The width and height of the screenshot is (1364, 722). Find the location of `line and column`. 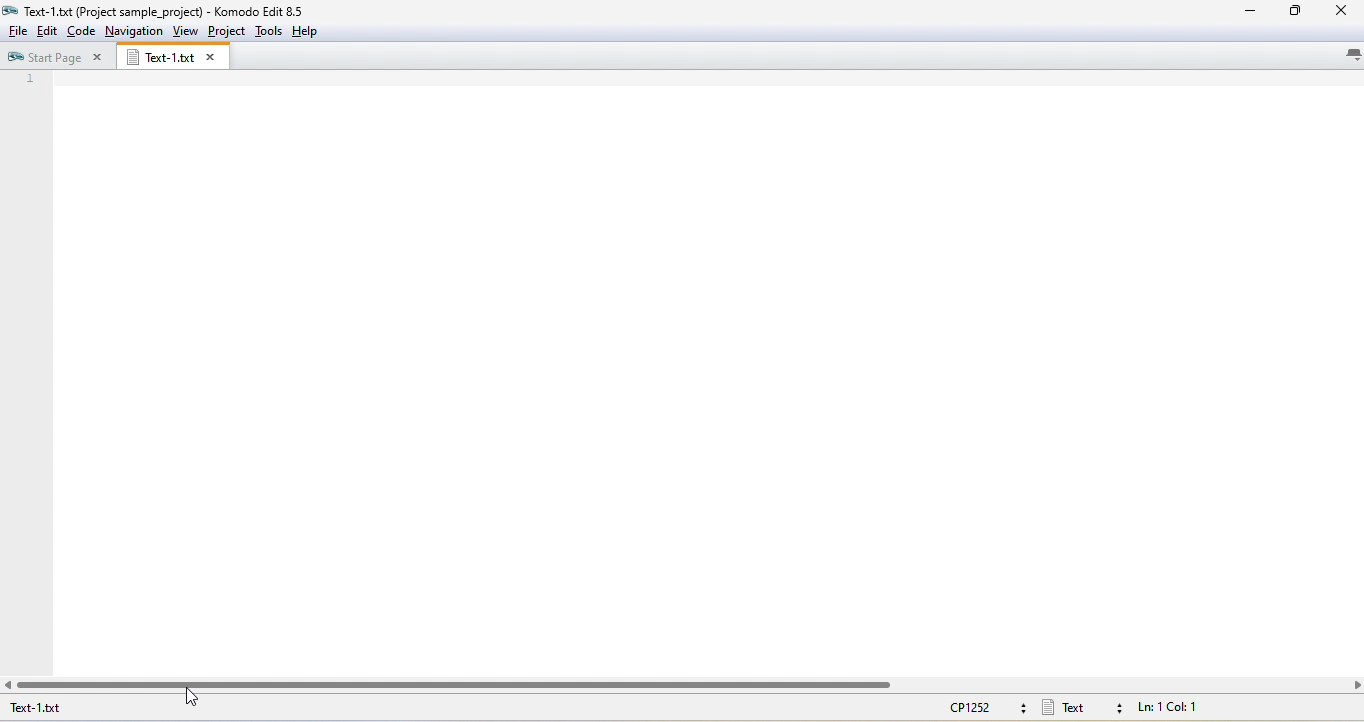

line and column is located at coordinates (1184, 709).